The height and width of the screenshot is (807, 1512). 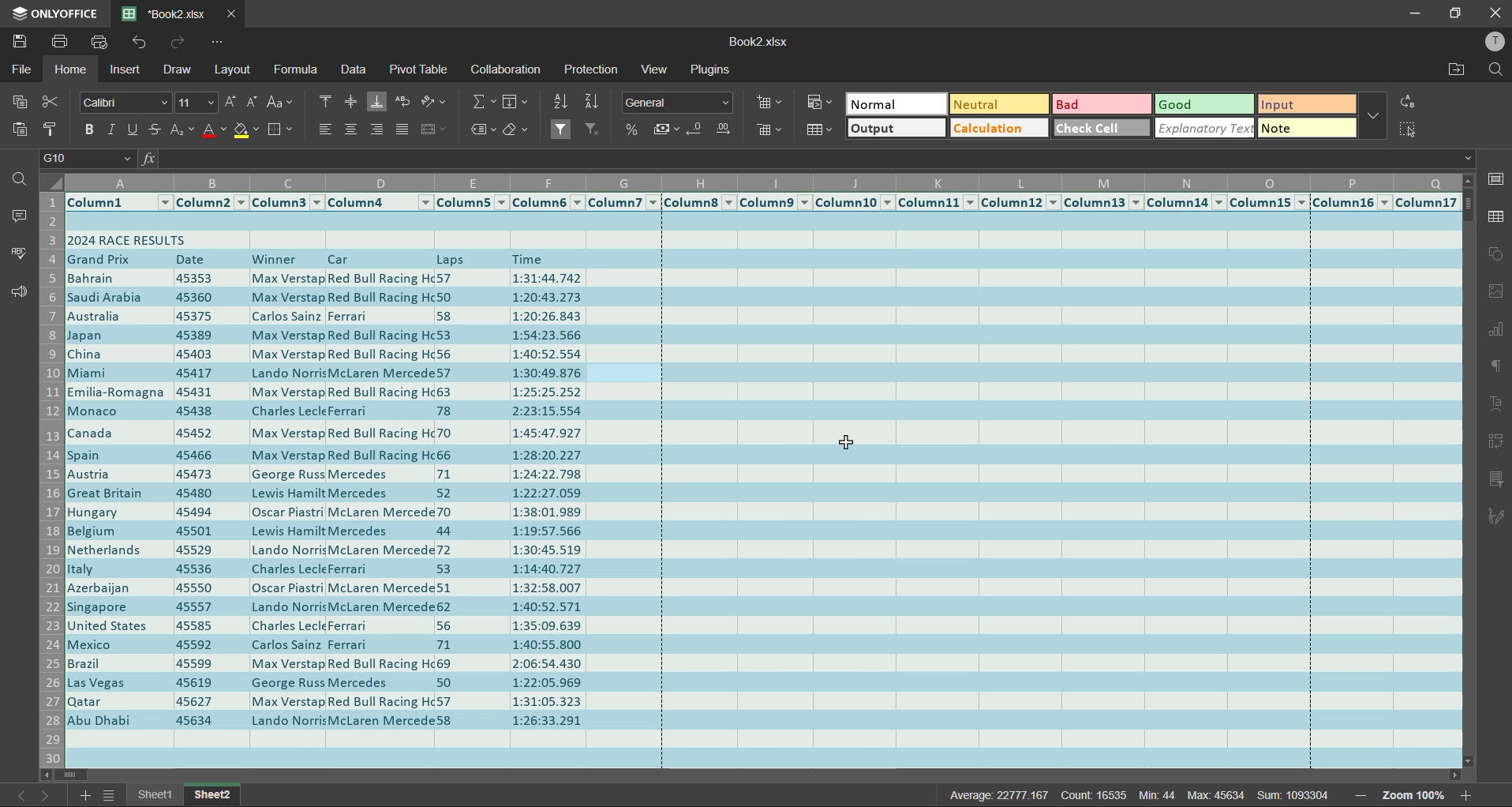 What do you see at coordinates (350, 103) in the screenshot?
I see `align middle` at bounding box center [350, 103].